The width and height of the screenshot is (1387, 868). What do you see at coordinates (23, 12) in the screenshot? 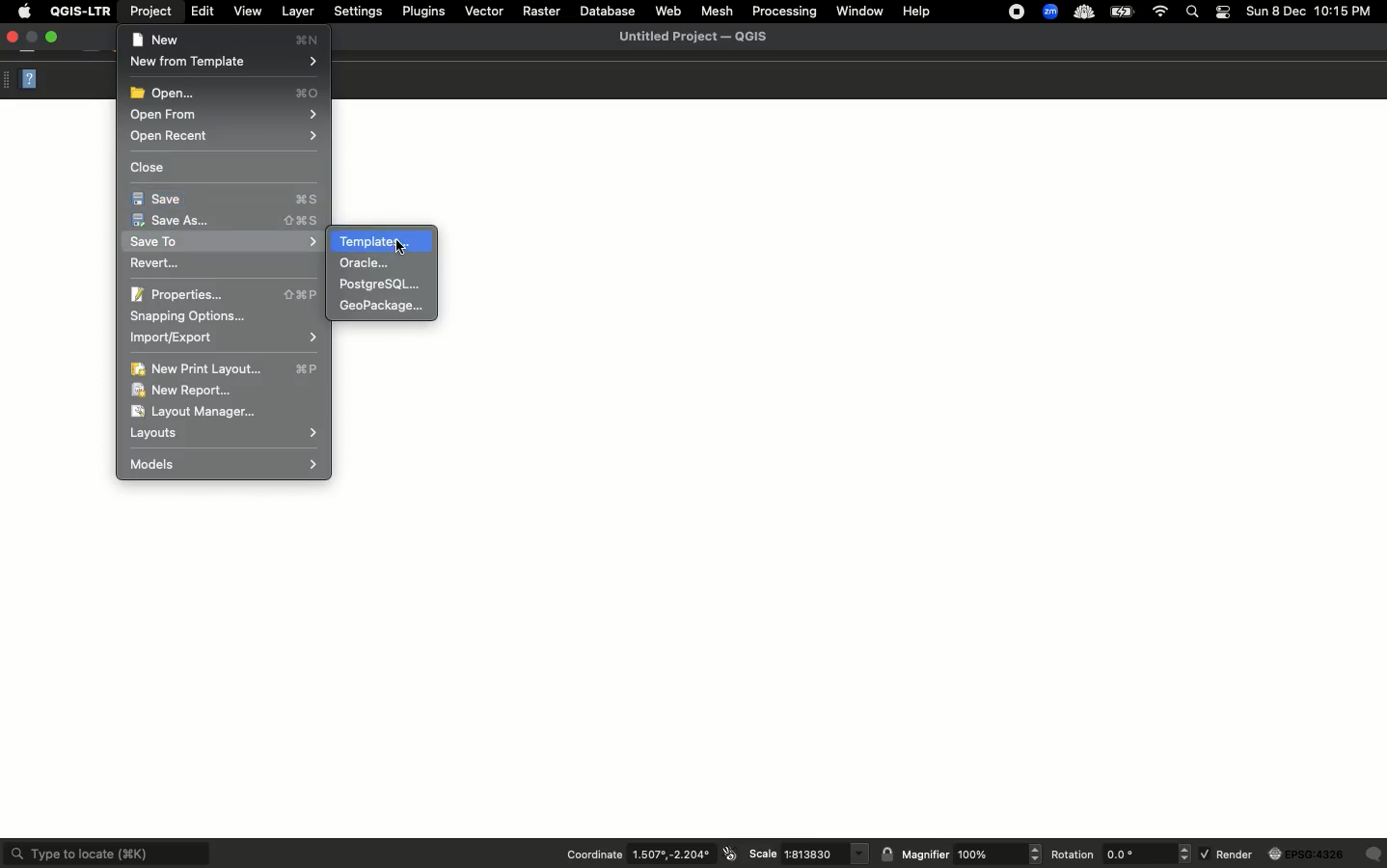
I see `Apple` at bounding box center [23, 12].